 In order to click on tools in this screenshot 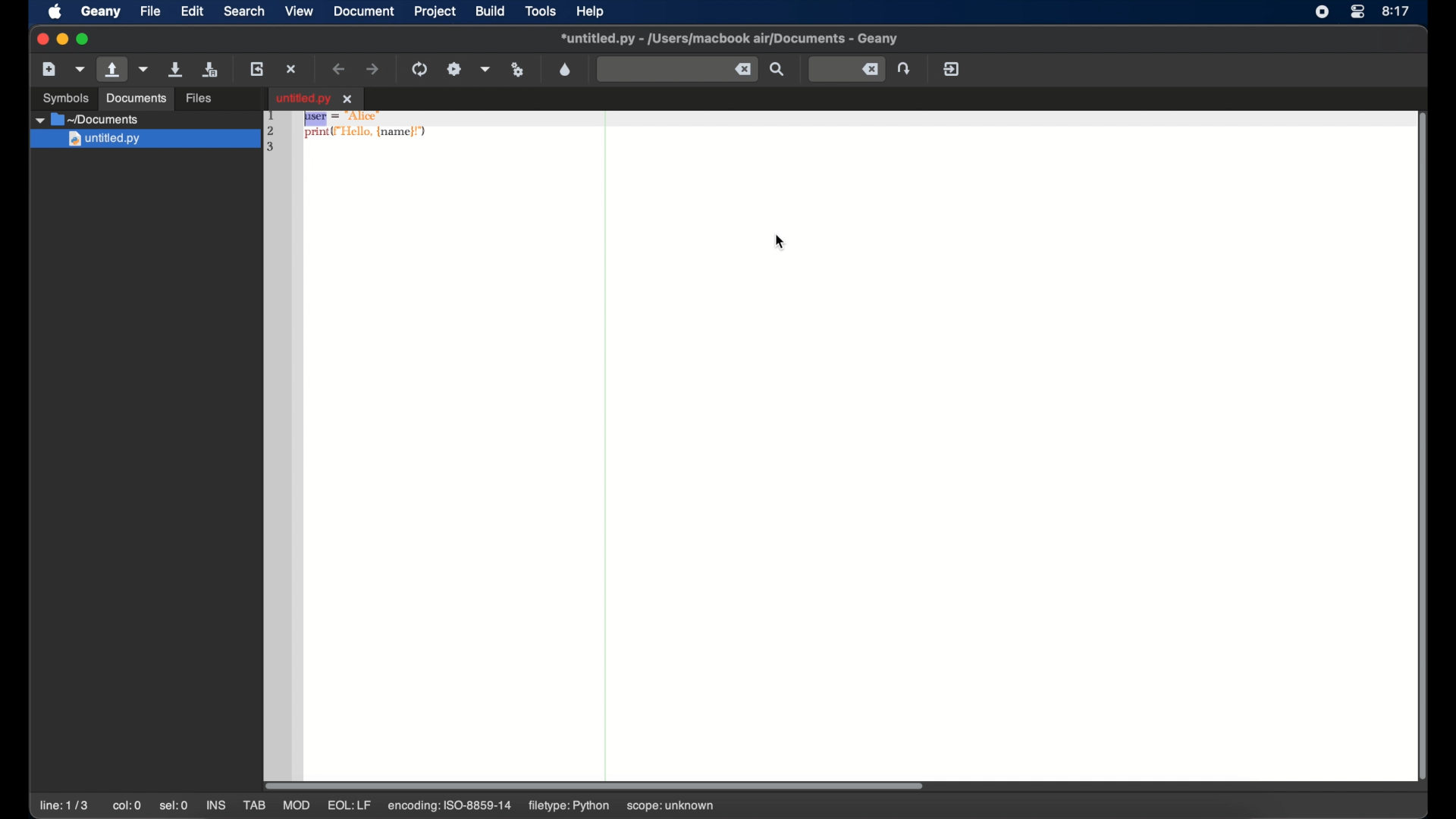, I will do `click(541, 10)`.